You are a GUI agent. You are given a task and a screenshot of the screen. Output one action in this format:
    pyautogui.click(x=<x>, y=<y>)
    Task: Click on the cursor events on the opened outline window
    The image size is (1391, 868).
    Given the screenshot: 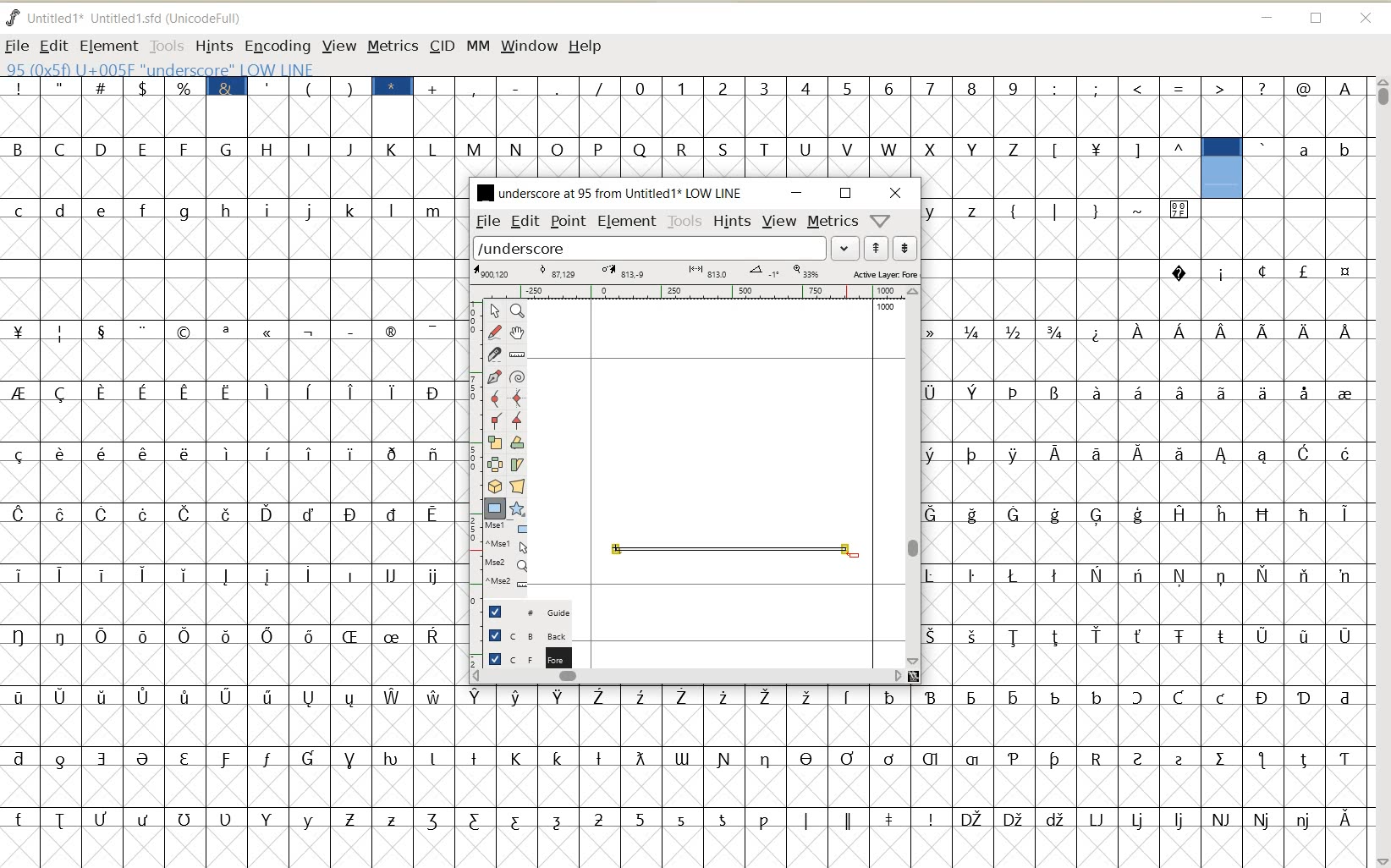 What is the action you would take?
    pyautogui.click(x=507, y=556)
    